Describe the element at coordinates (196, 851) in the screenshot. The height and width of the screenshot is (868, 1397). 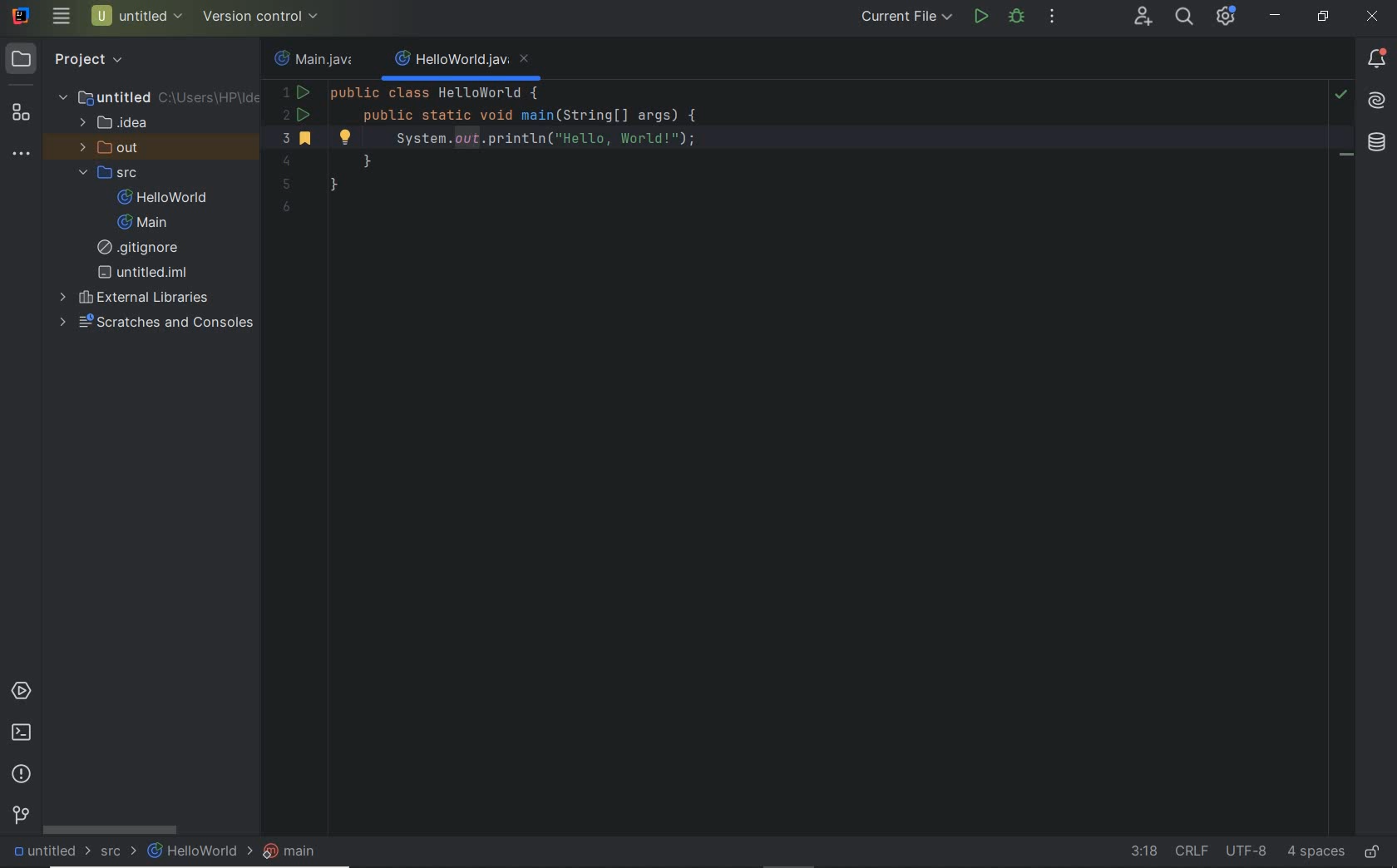
I see `HelloWorld` at that location.